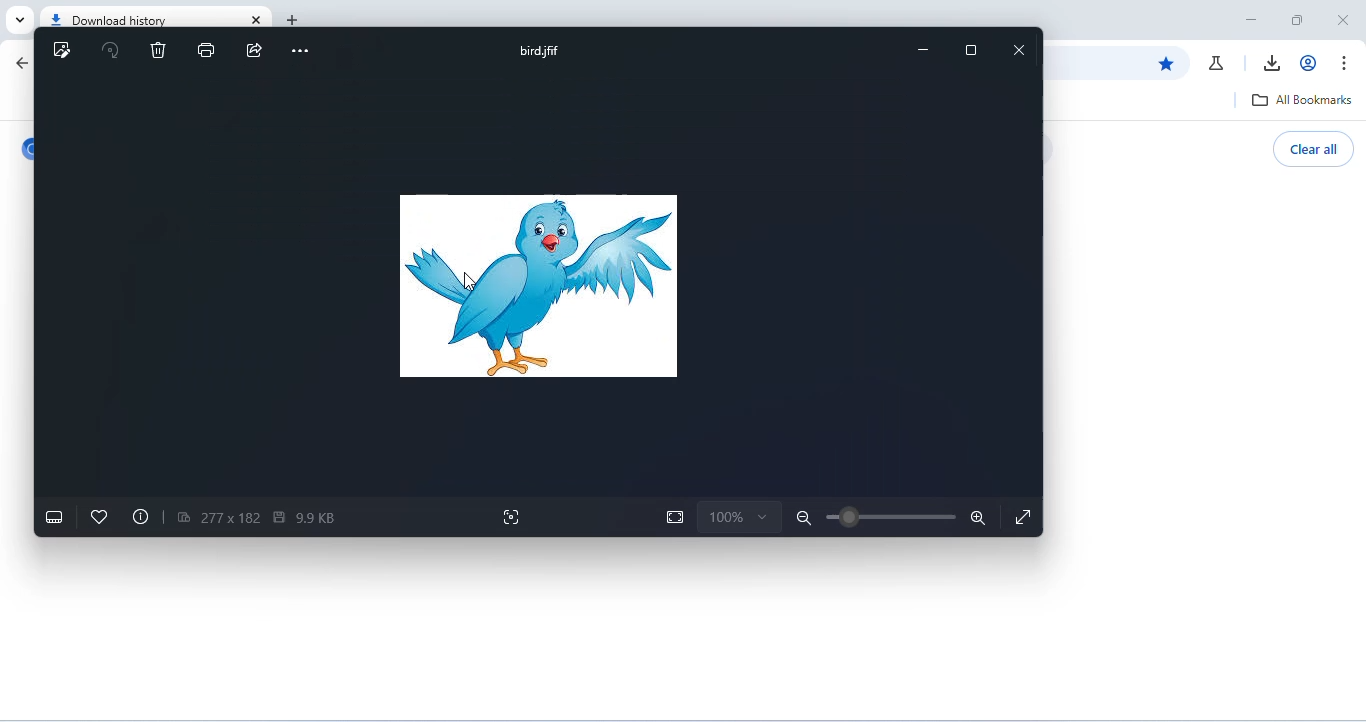 The height and width of the screenshot is (722, 1366). Describe the element at coordinates (1297, 20) in the screenshot. I see `maximize` at that location.